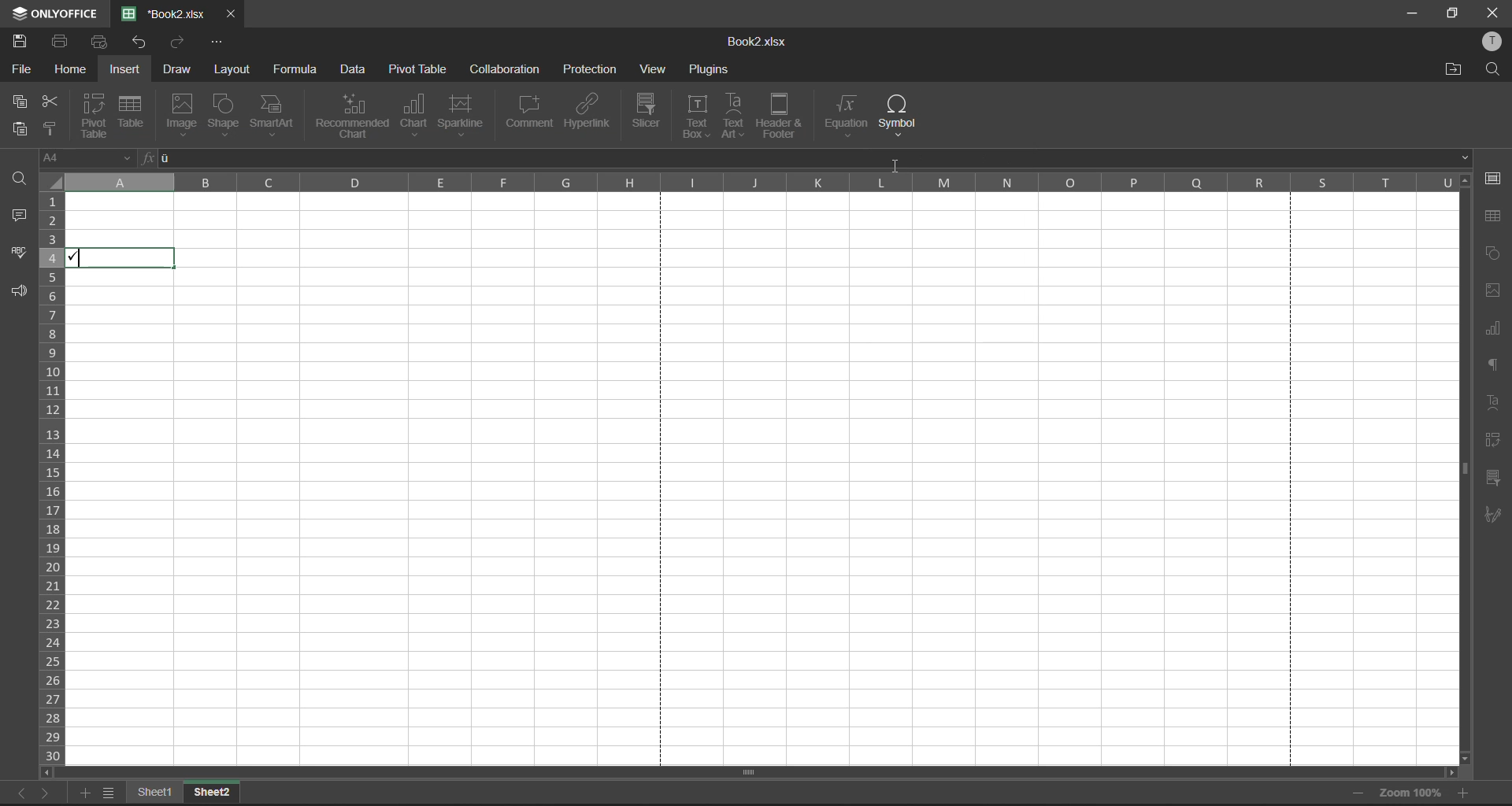  I want to click on pivot table, so click(418, 70).